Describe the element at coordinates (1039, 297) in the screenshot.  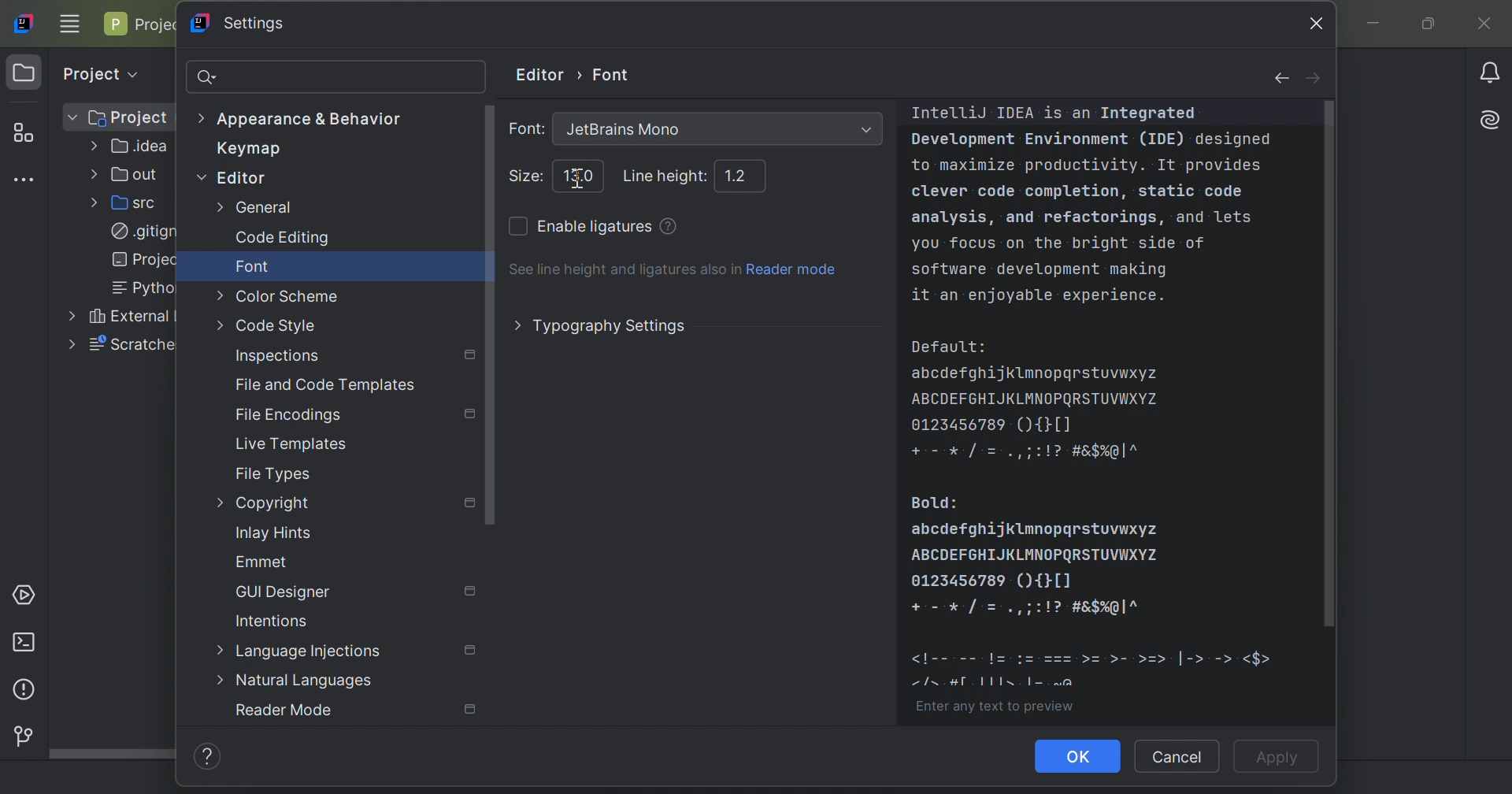
I see `it an enjoyable experience.` at that location.